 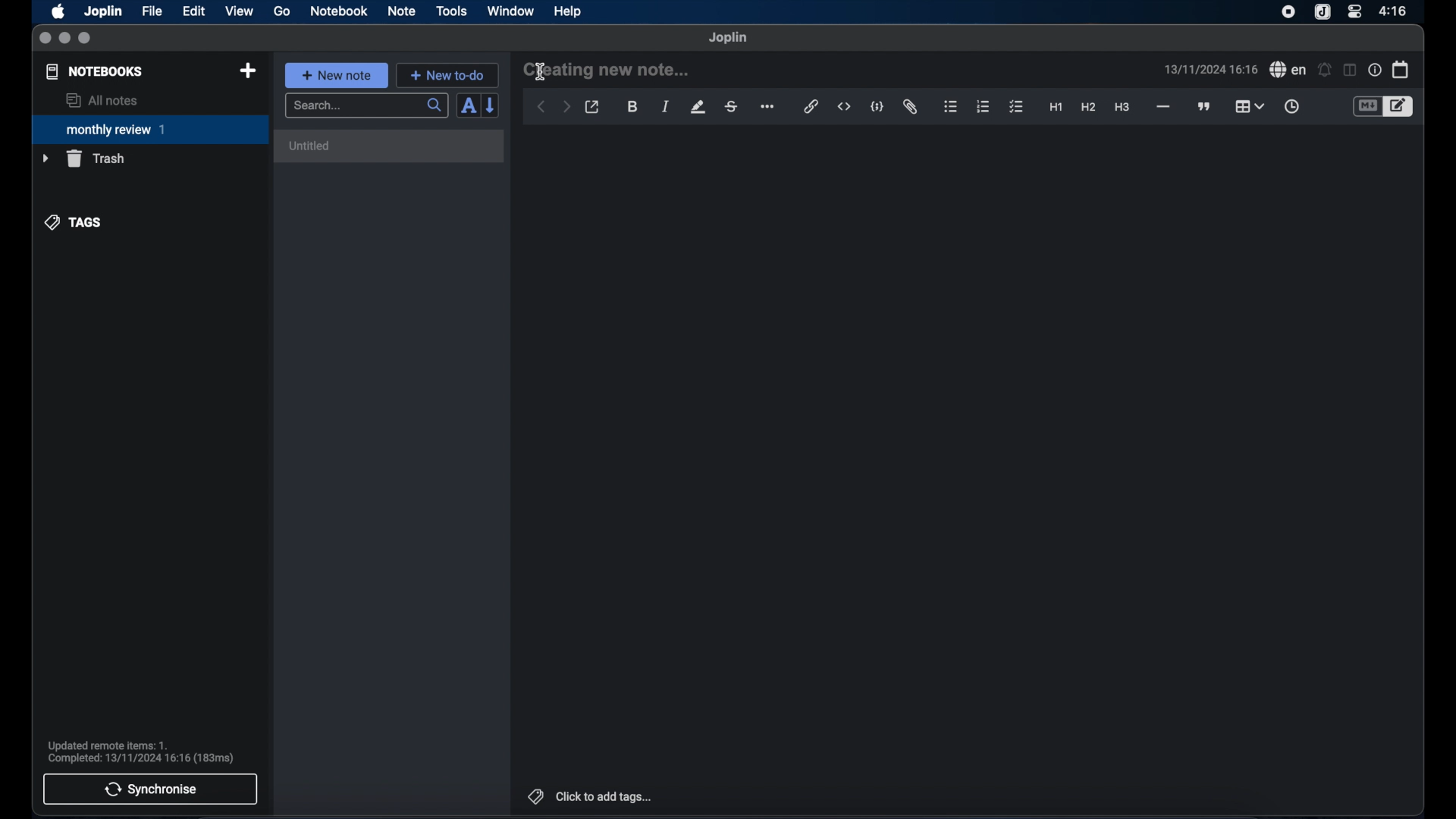 What do you see at coordinates (666, 106) in the screenshot?
I see `italic` at bounding box center [666, 106].